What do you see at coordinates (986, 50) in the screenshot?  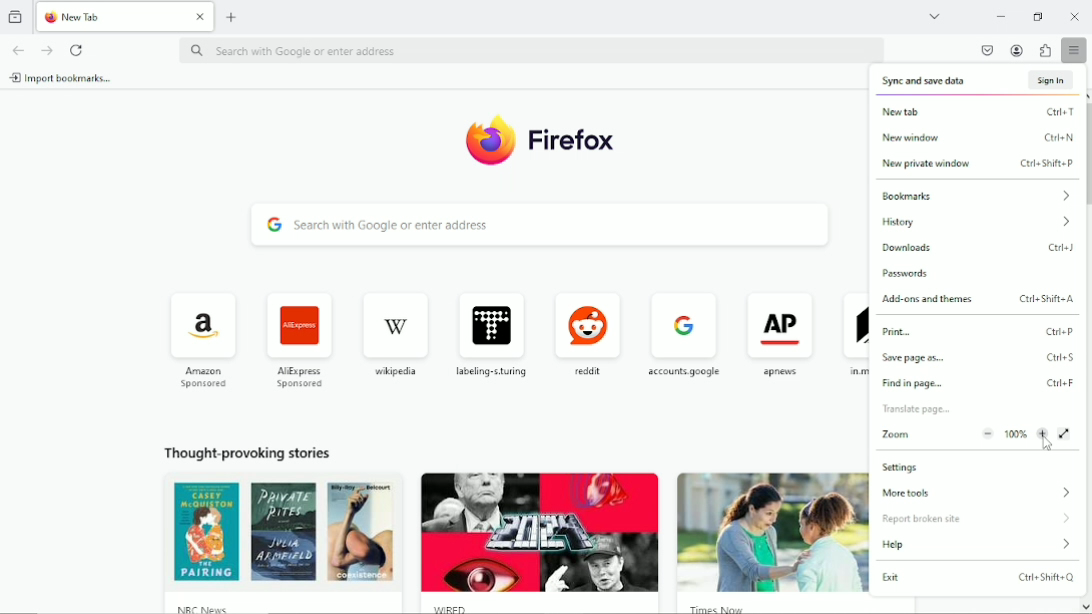 I see `save to pocket` at bounding box center [986, 50].